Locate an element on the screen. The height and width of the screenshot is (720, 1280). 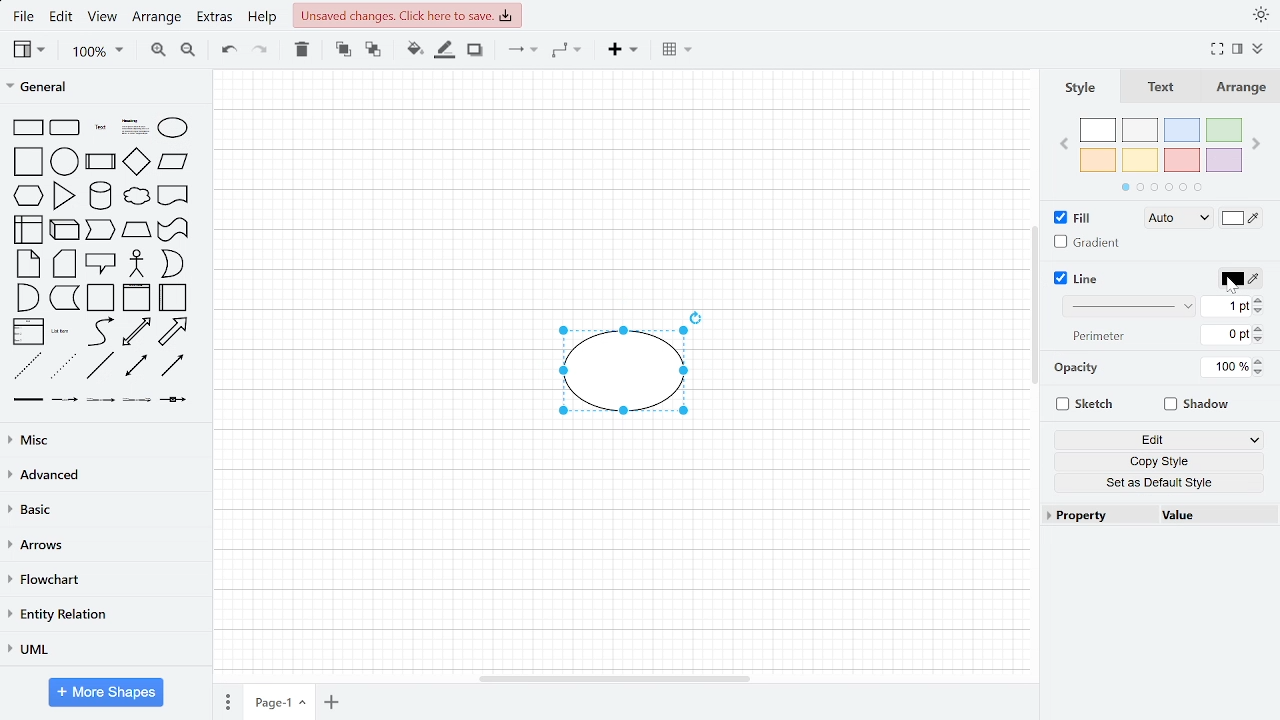
internal storage is located at coordinates (28, 230).